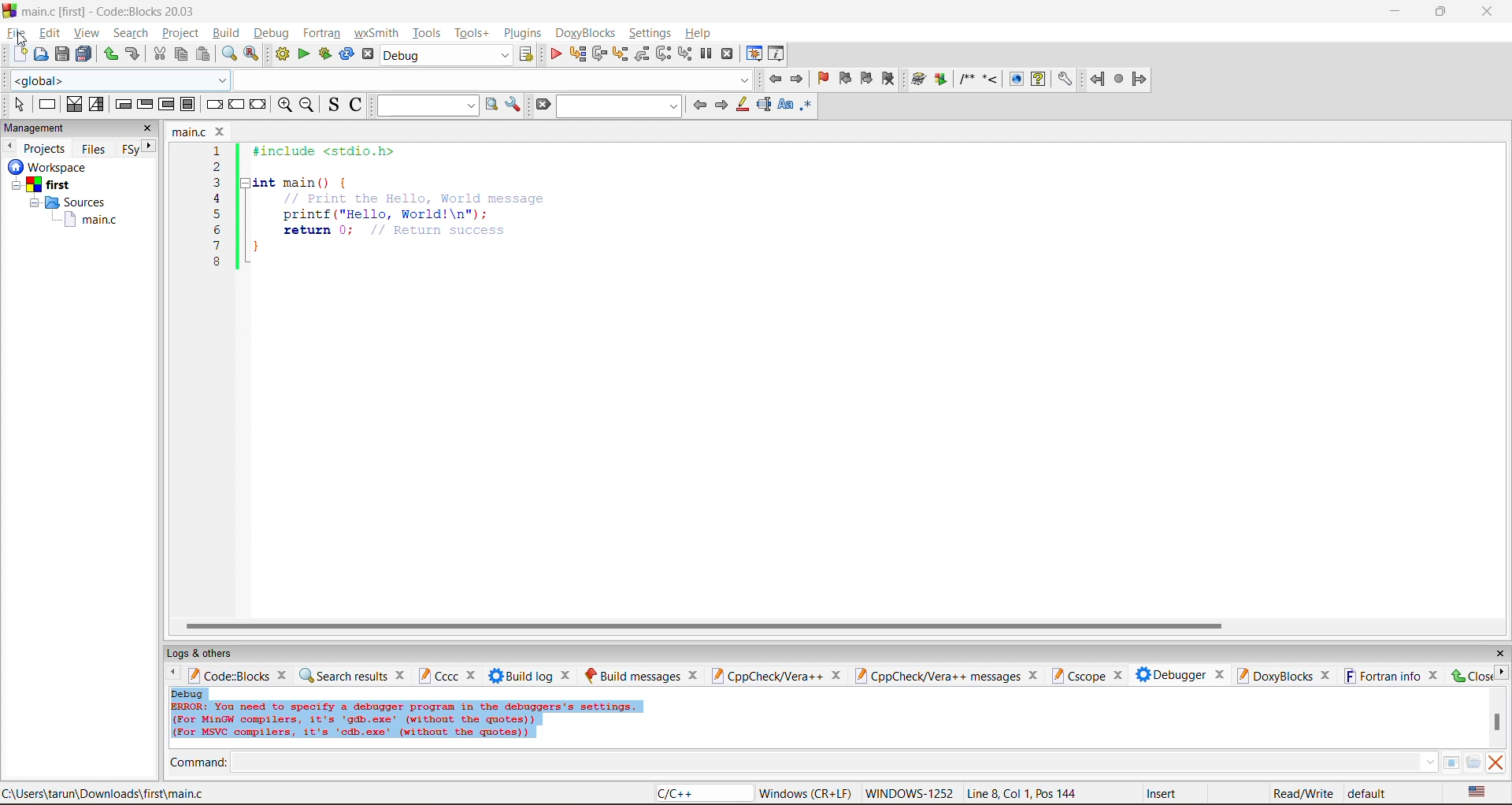  Describe the element at coordinates (919, 80) in the screenshot. I see `build` at that location.